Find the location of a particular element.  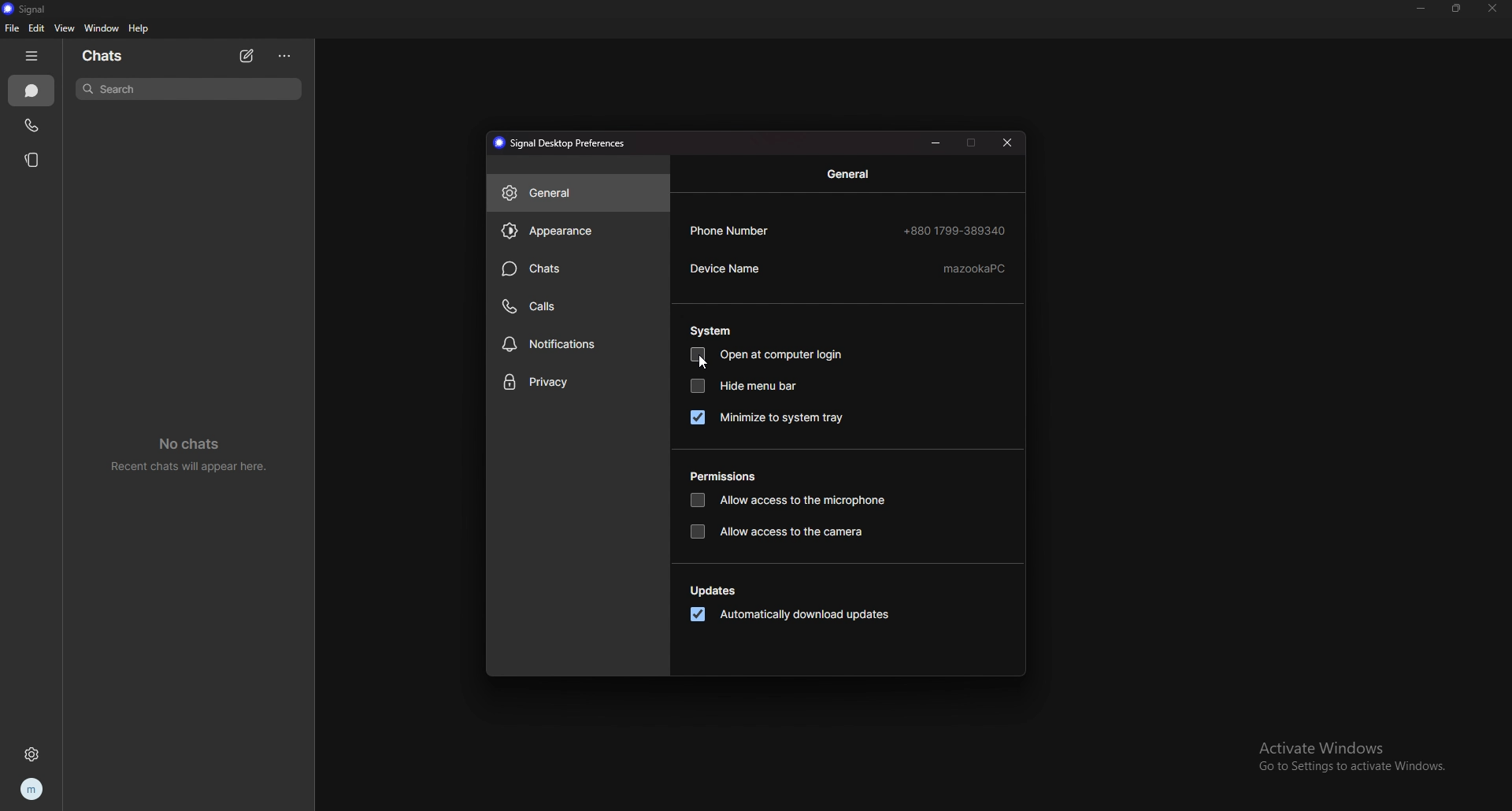

file is located at coordinates (13, 28).